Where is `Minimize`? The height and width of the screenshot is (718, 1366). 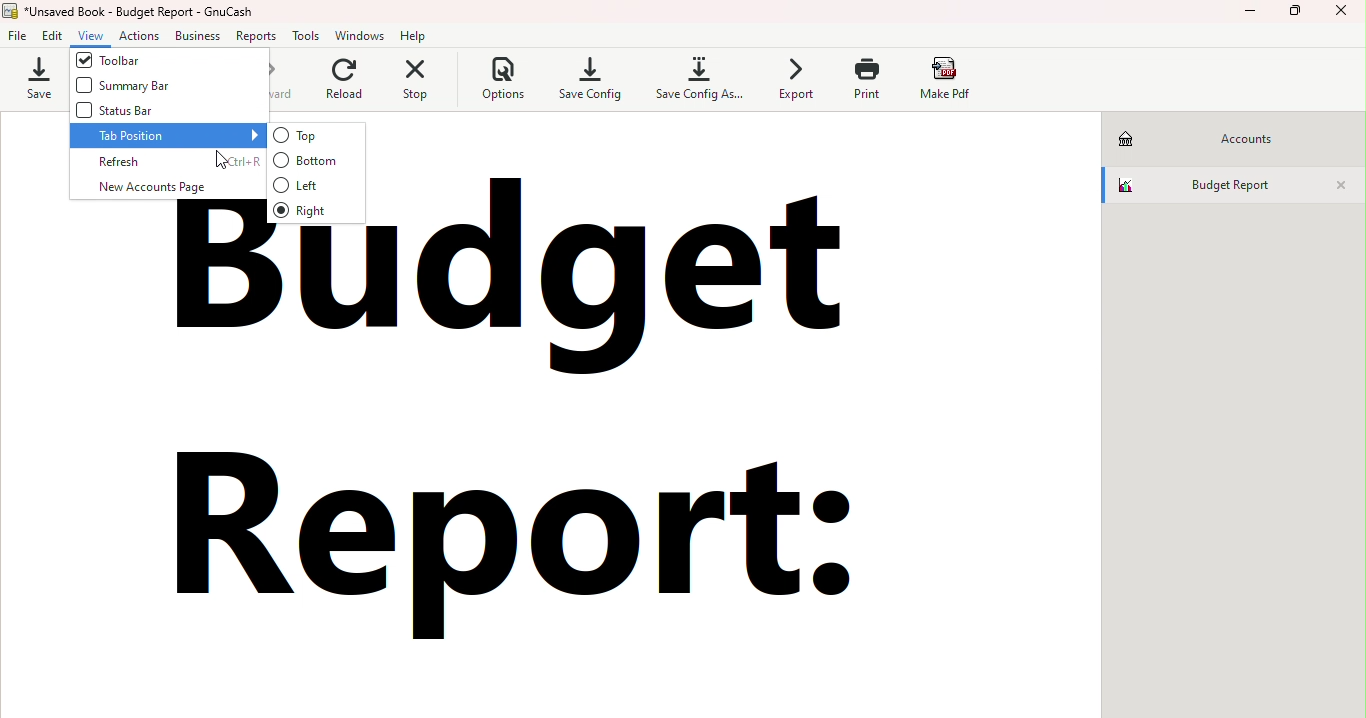
Minimize is located at coordinates (1251, 16).